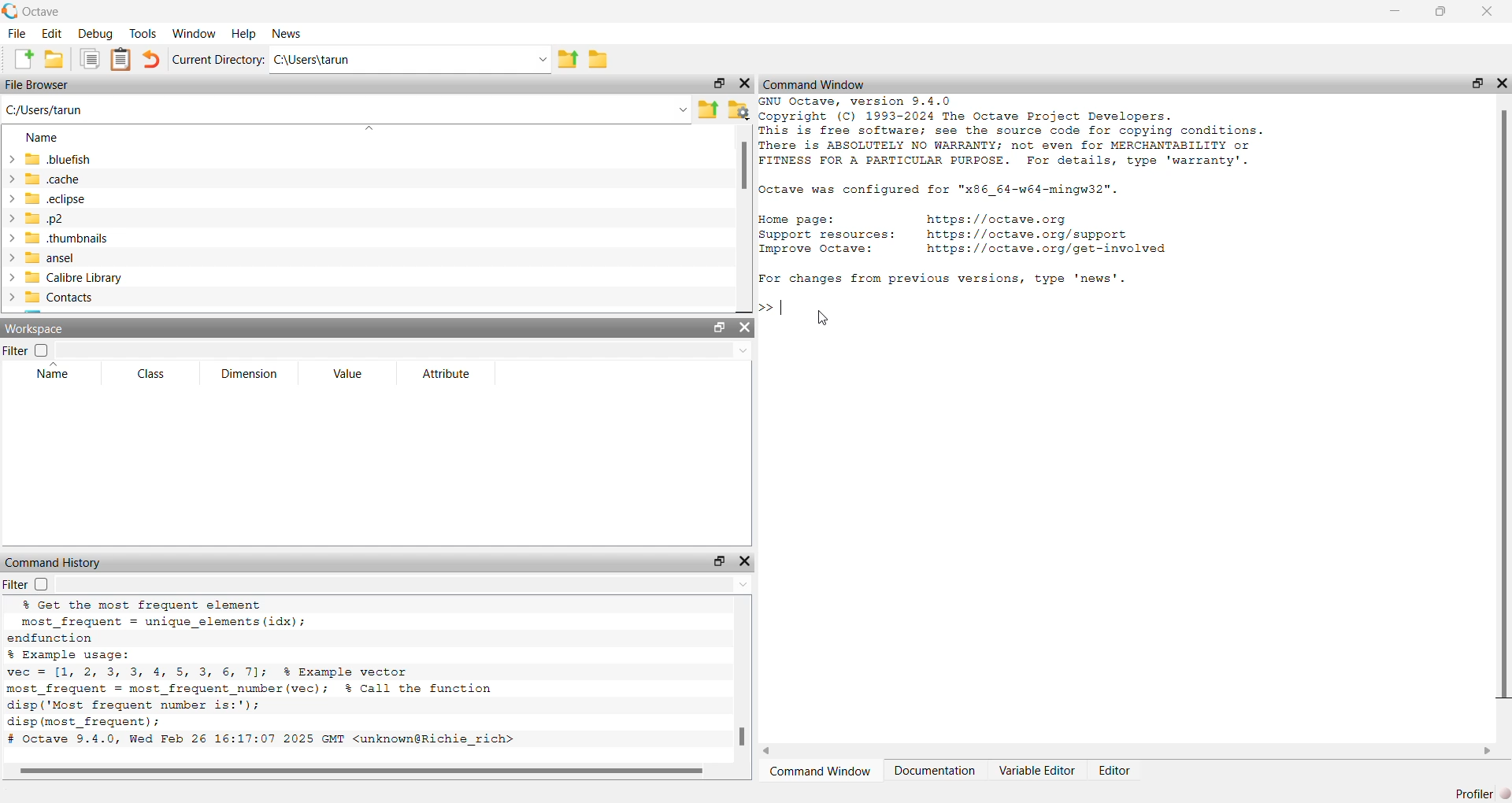 This screenshot has width=1512, height=803. Describe the element at coordinates (542, 57) in the screenshot. I see `Enter directory name` at that location.